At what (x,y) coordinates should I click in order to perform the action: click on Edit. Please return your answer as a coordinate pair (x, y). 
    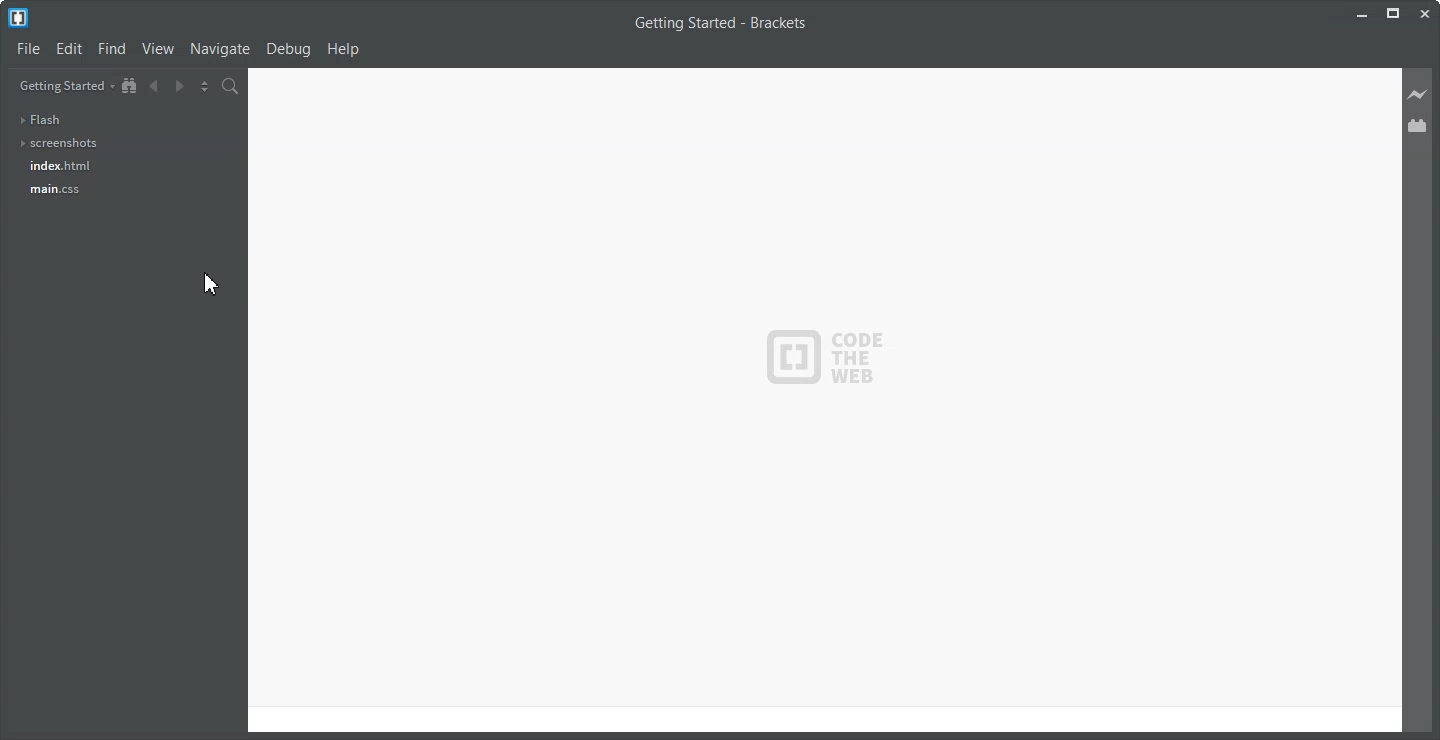
    Looking at the image, I should click on (70, 49).